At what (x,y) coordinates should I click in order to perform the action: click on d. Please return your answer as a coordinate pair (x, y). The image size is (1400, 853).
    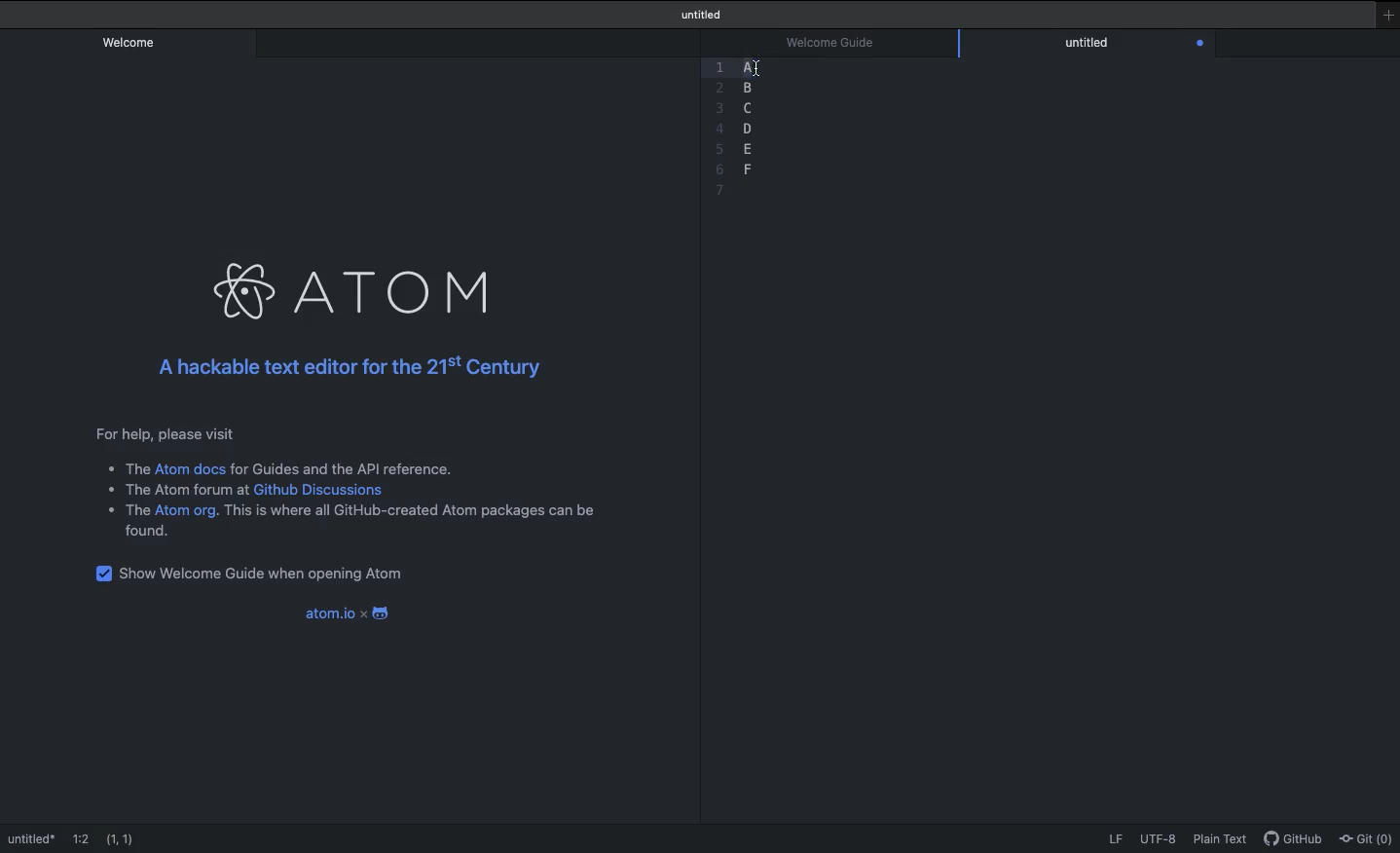
    Looking at the image, I should click on (751, 129).